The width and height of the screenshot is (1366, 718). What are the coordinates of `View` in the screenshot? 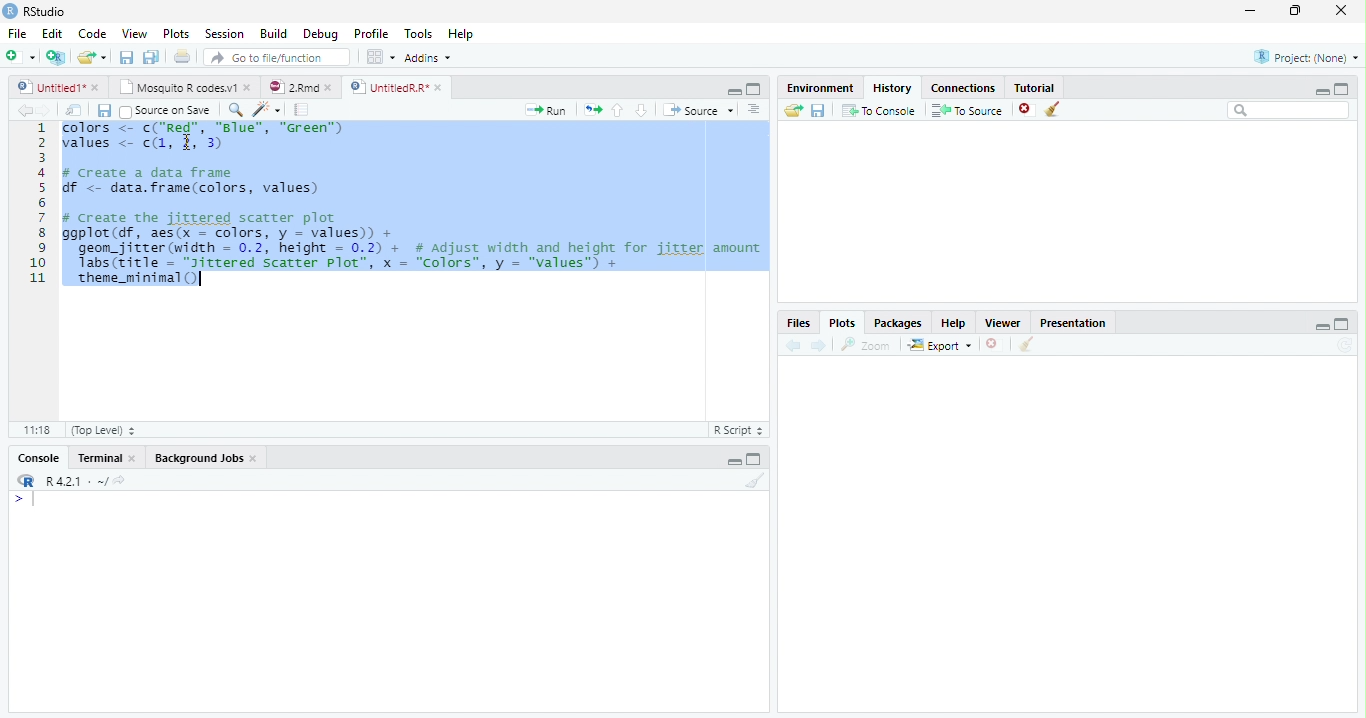 It's located at (134, 33).